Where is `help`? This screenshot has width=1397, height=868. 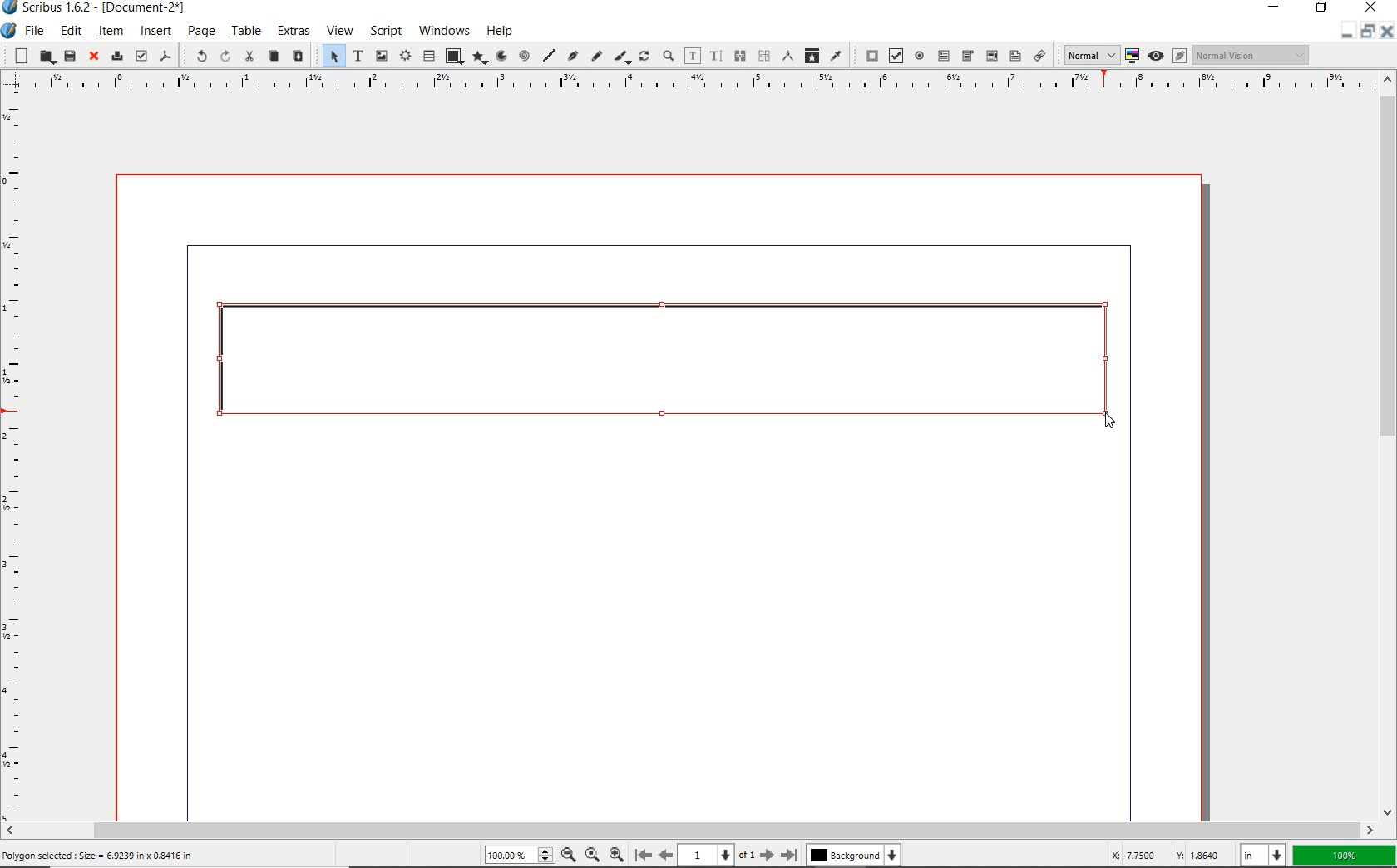 help is located at coordinates (502, 31).